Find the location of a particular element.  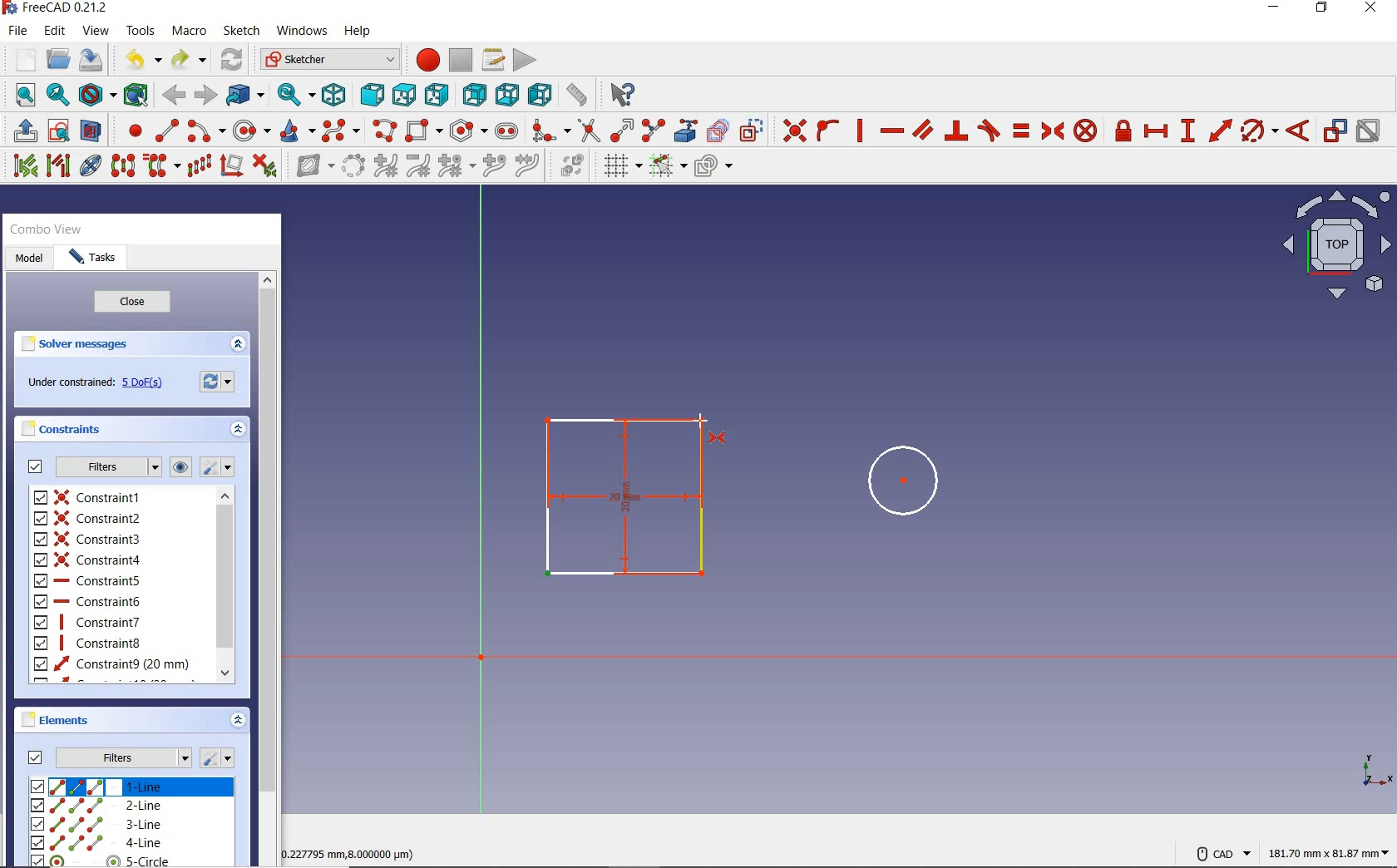

settings is located at coordinates (220, 757).